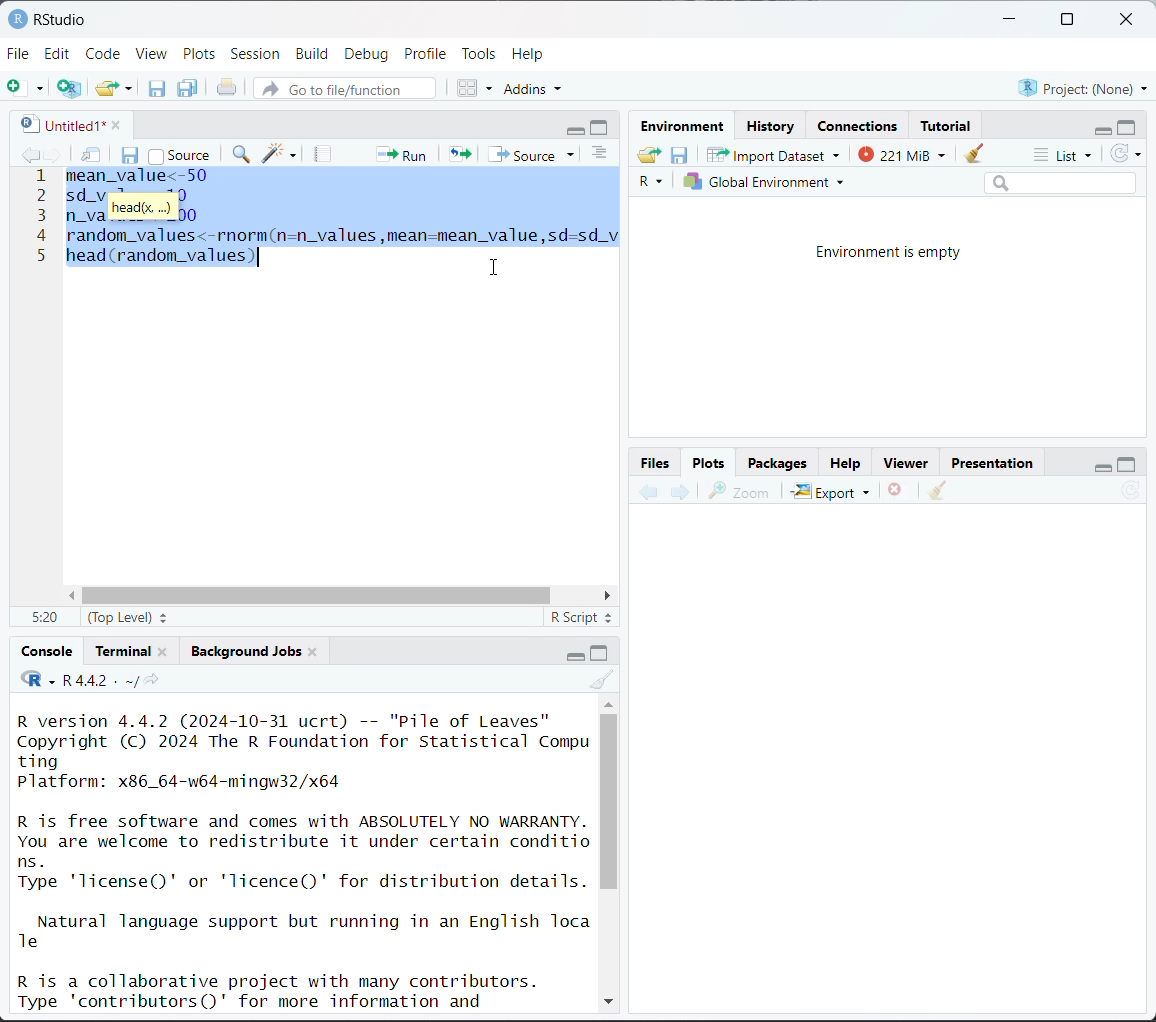  What do you see at coordinates (428, 52) in the screenshot?
I see `Profile` at bounding box center [428, 52].